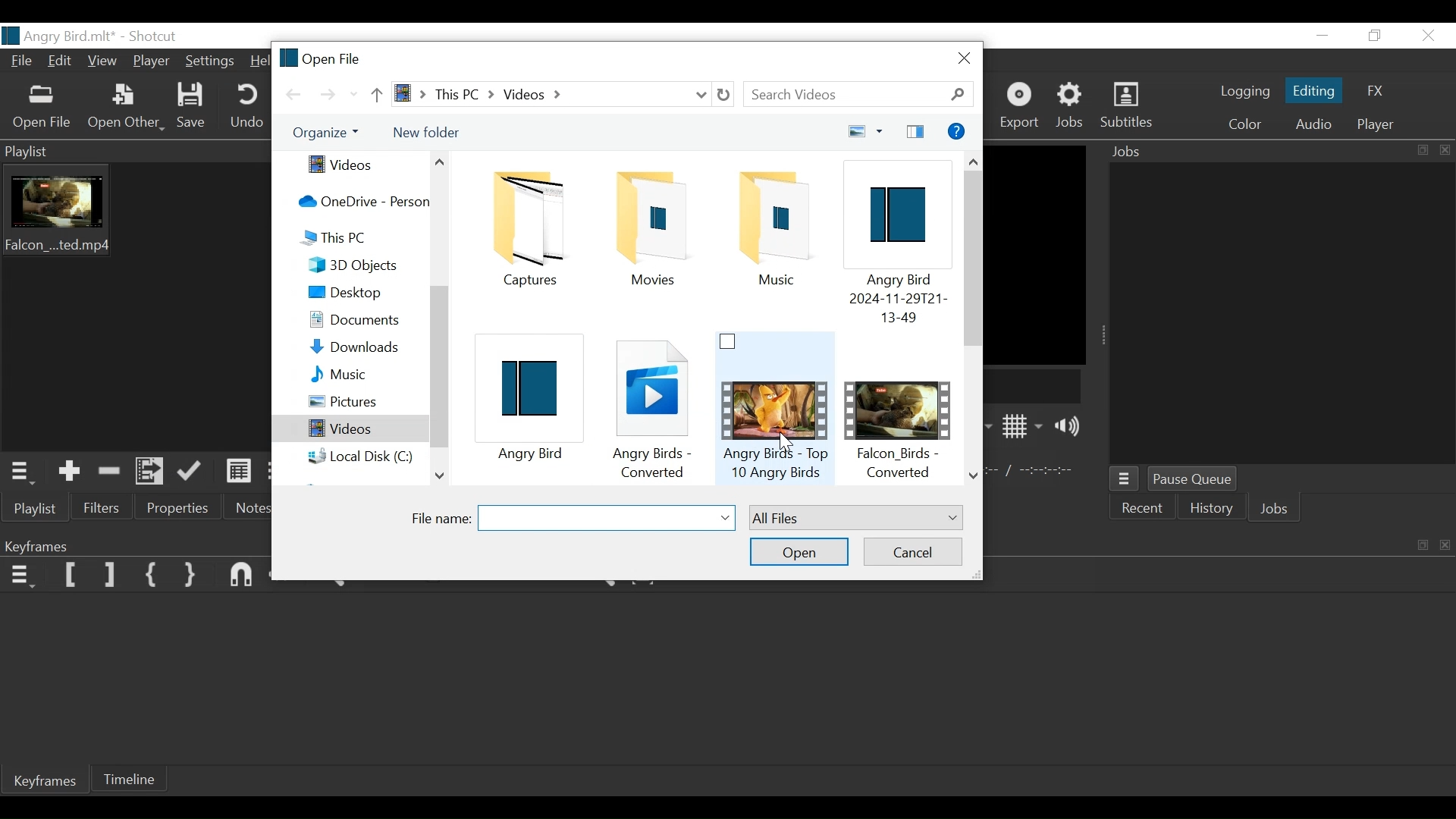 The image size is (1456, 819). Describe the element at coordinates (21, 62) in the screenshot. I see `File` at that location.